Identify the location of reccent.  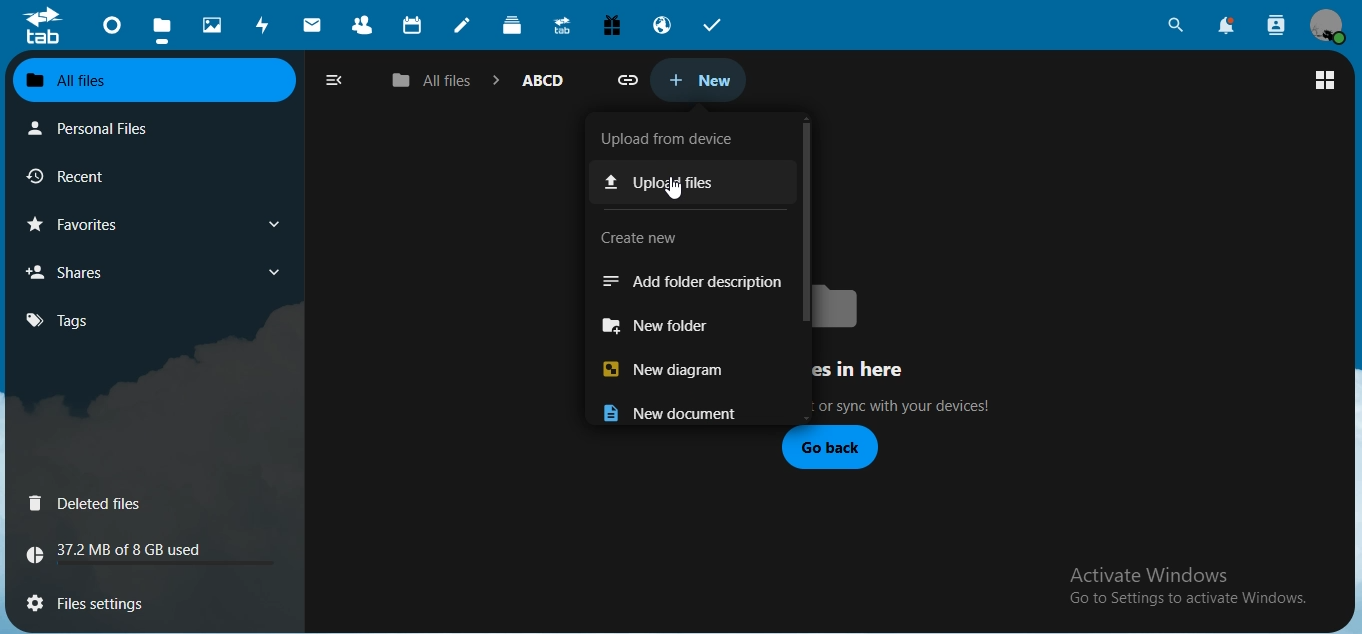
(90, 179).